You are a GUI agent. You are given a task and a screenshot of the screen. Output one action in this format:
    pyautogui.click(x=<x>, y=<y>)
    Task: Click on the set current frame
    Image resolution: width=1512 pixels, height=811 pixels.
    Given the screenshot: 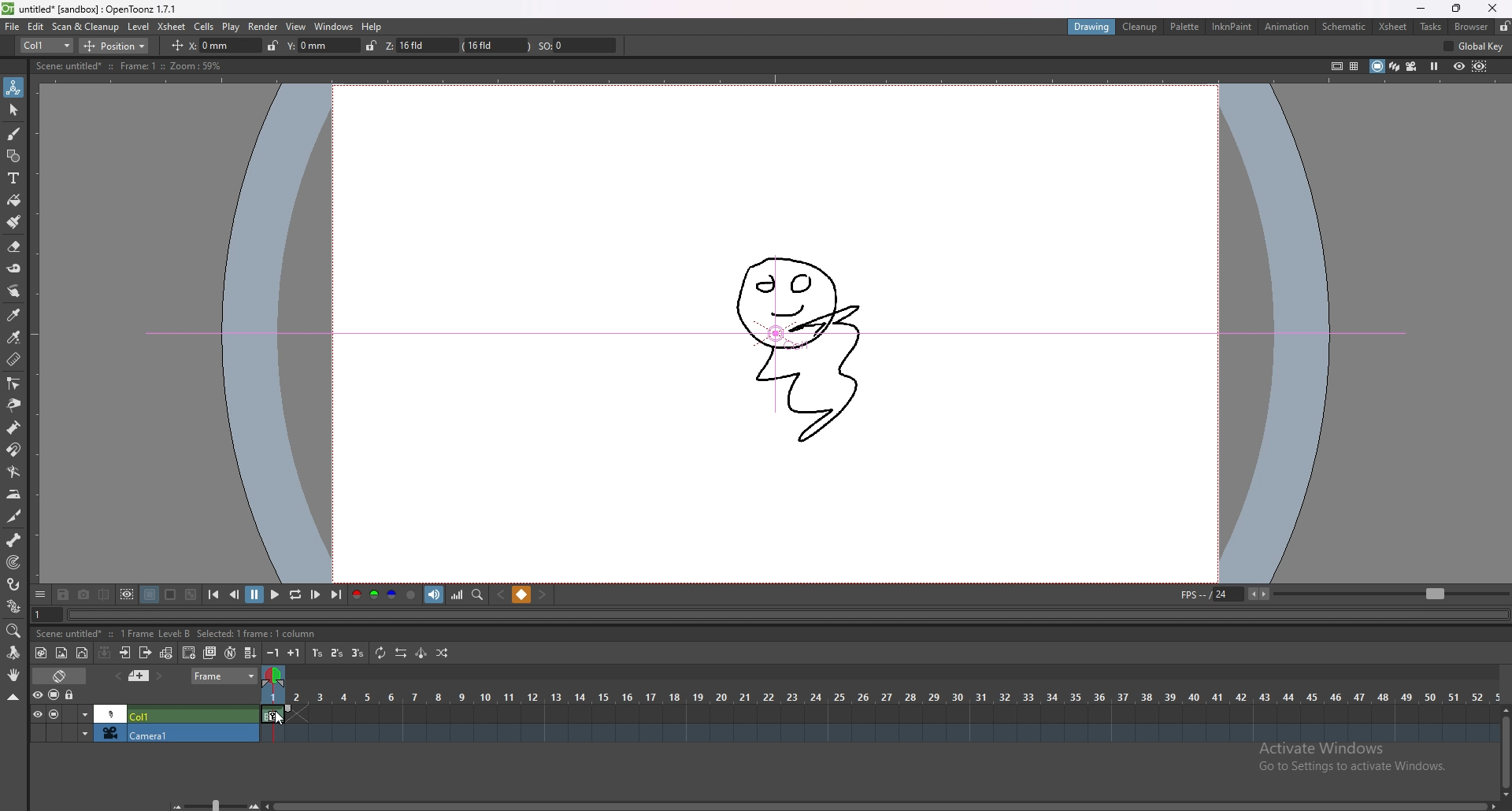 What is the action you would take?
    pyautogui.click(x=47, y=614)
    